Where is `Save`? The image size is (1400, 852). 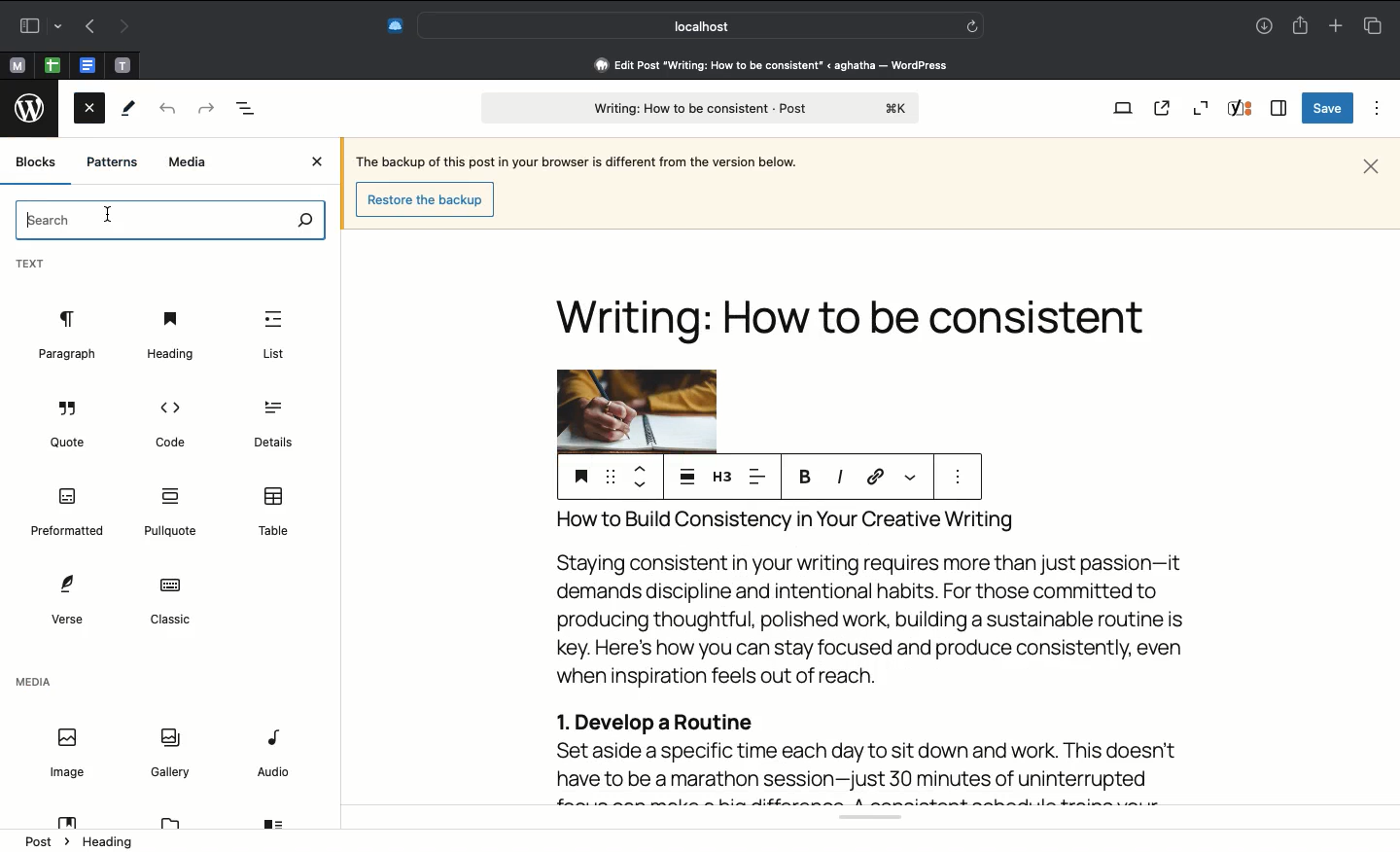
Save is located at coordinates (578, 476).